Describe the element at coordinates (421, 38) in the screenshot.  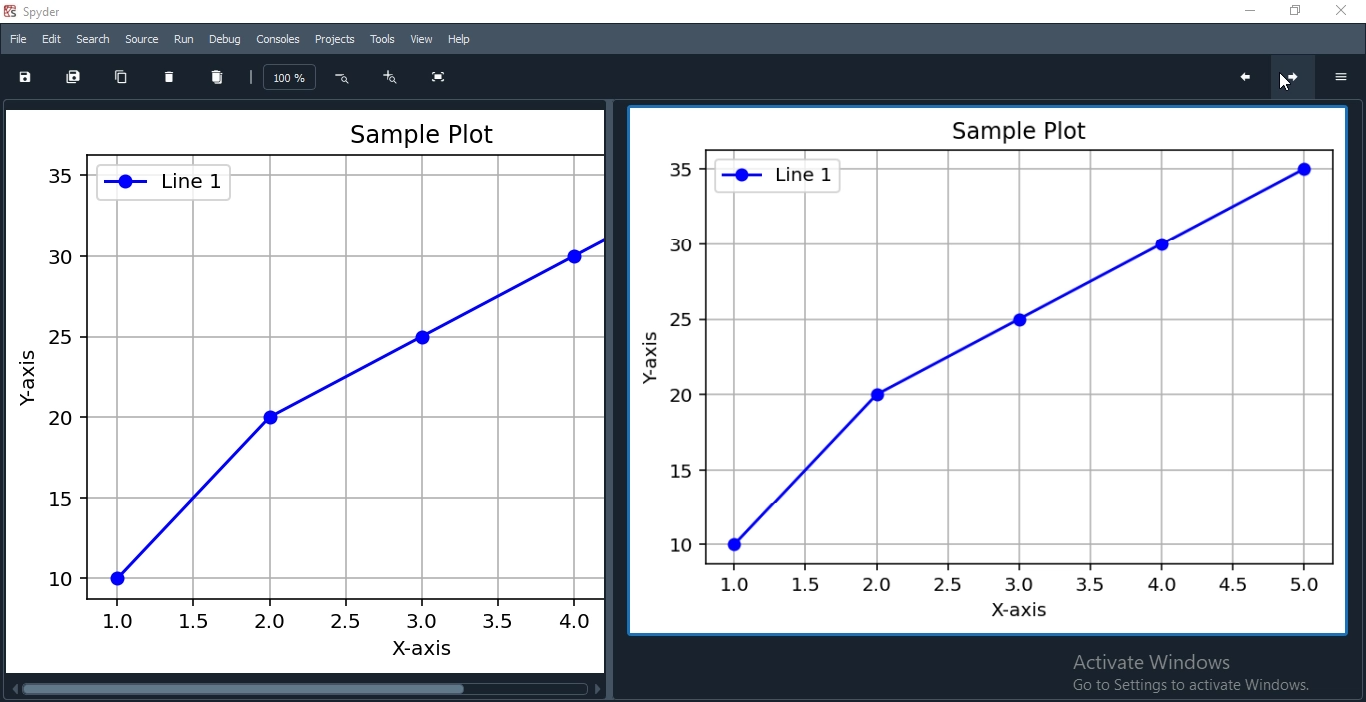
I see `View` at that location.